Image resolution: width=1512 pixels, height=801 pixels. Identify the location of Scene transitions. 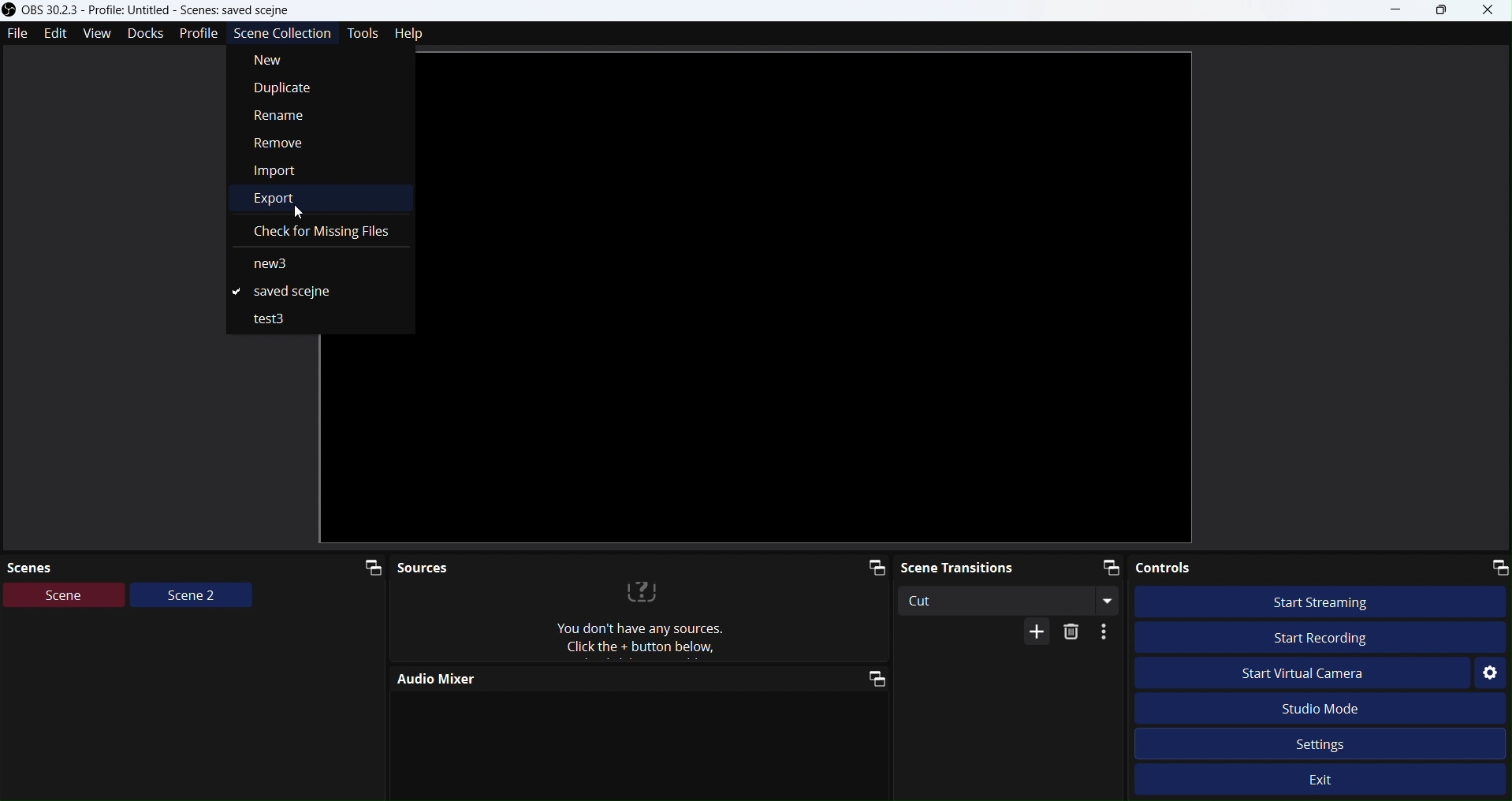
(1013, 567).